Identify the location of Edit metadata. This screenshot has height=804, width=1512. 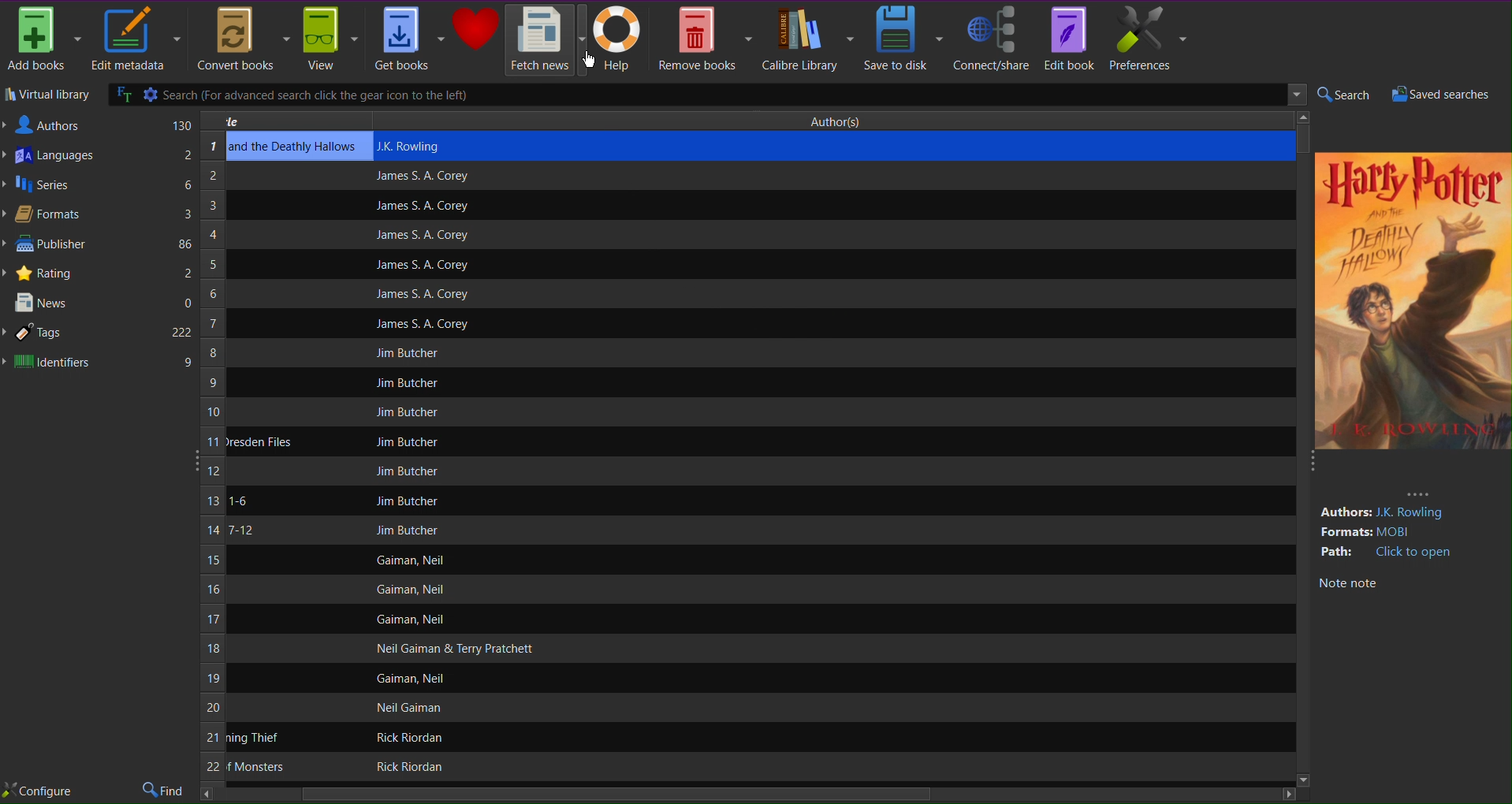
(135, 40).